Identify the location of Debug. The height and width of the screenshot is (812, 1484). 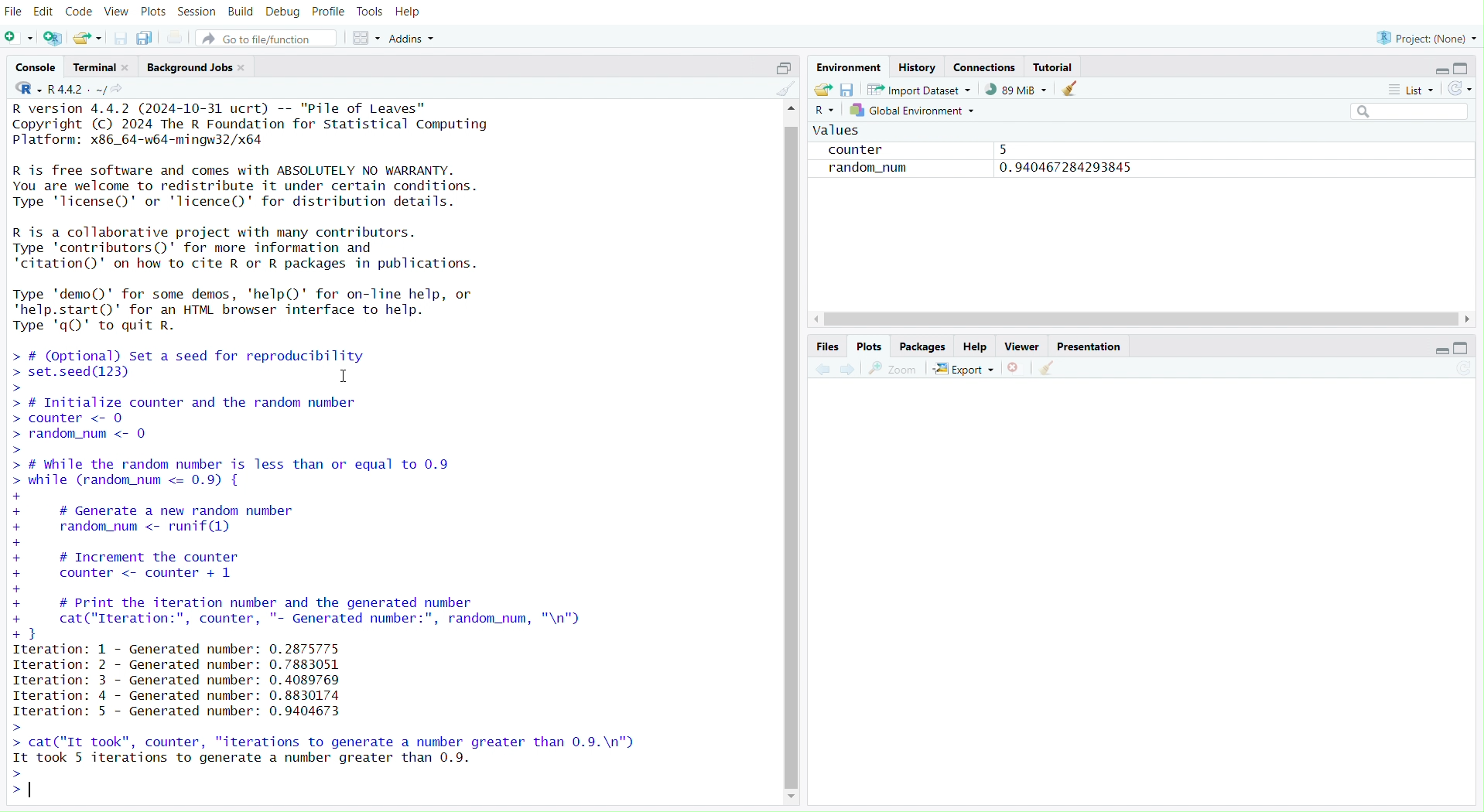
(281, 12).